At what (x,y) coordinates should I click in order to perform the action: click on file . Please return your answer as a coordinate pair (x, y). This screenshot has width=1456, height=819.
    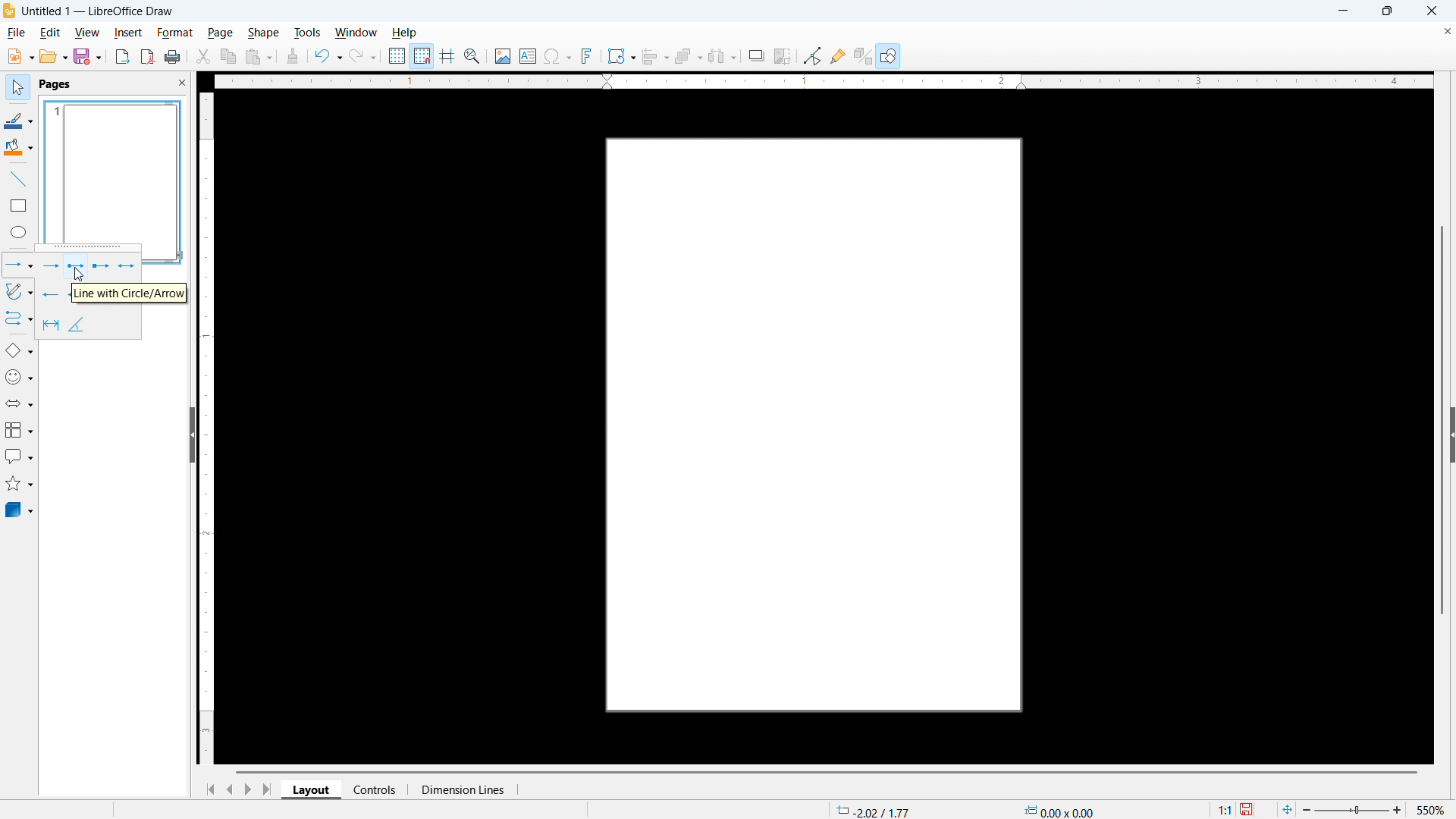
    Looking at the image, I should click on (16, 33).